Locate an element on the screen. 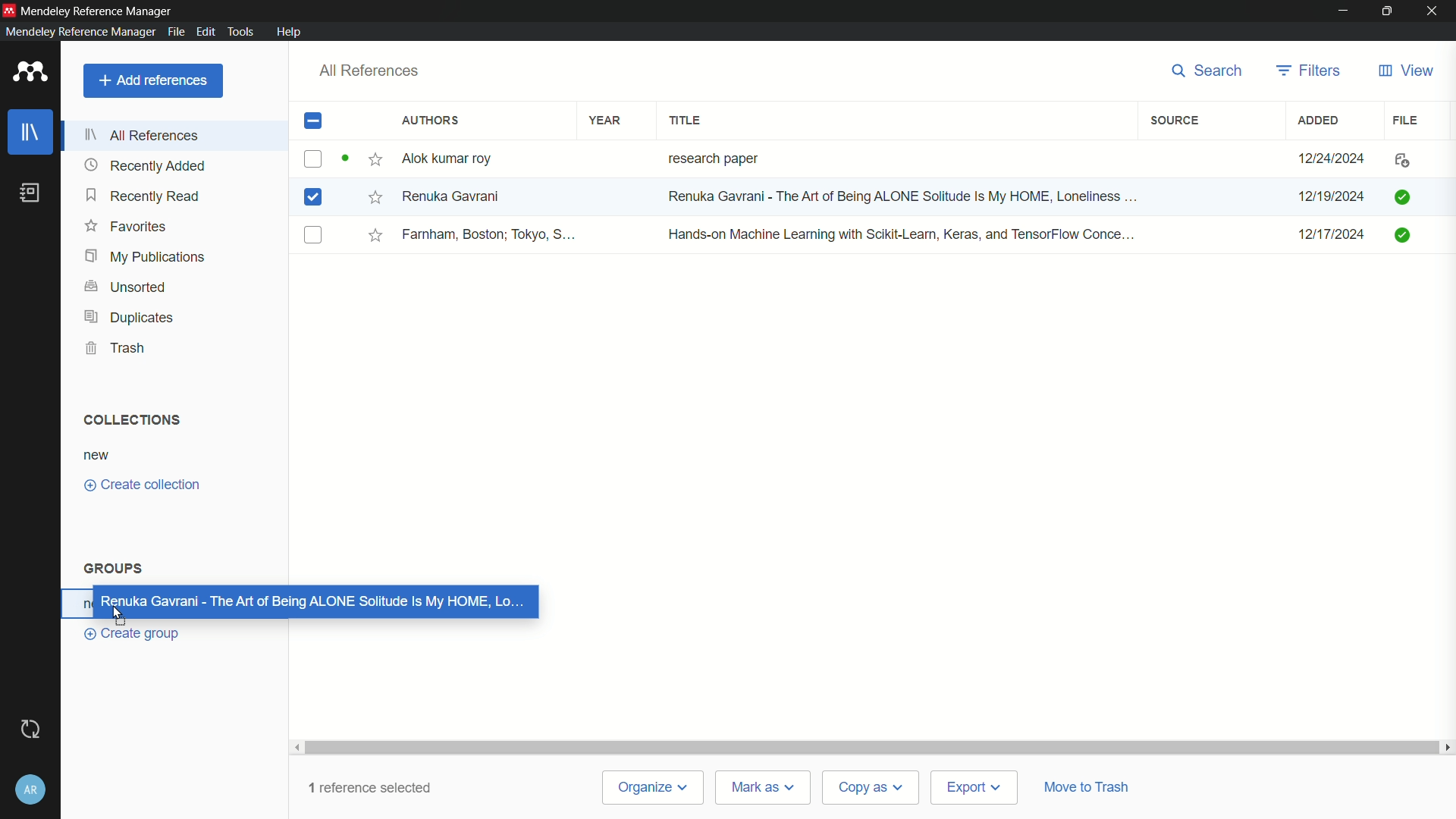  Date is located at coordinates (1329, 197).